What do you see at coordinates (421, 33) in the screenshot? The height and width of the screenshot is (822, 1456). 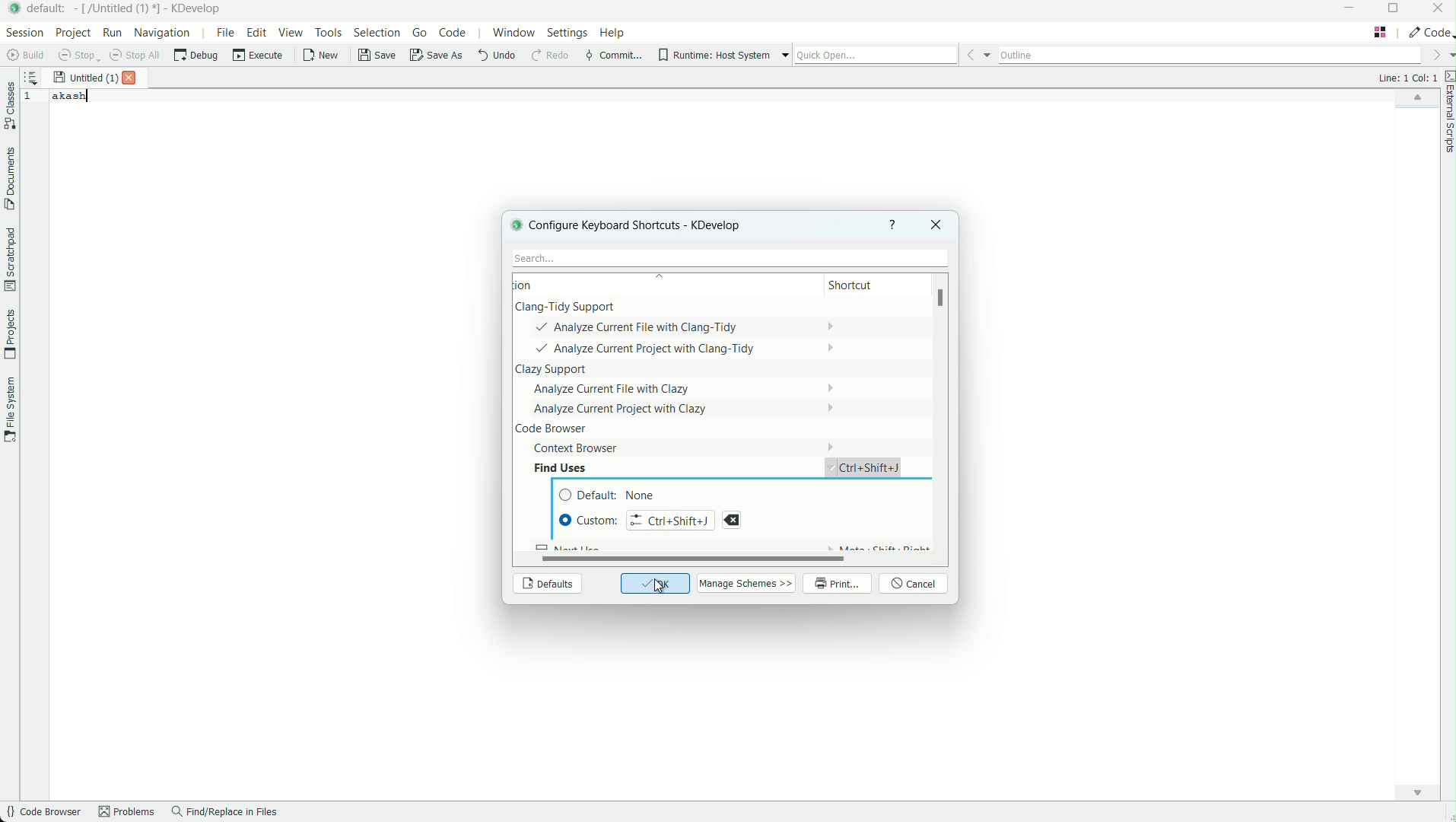 I see `go menu` at bounding box center [421, 33].